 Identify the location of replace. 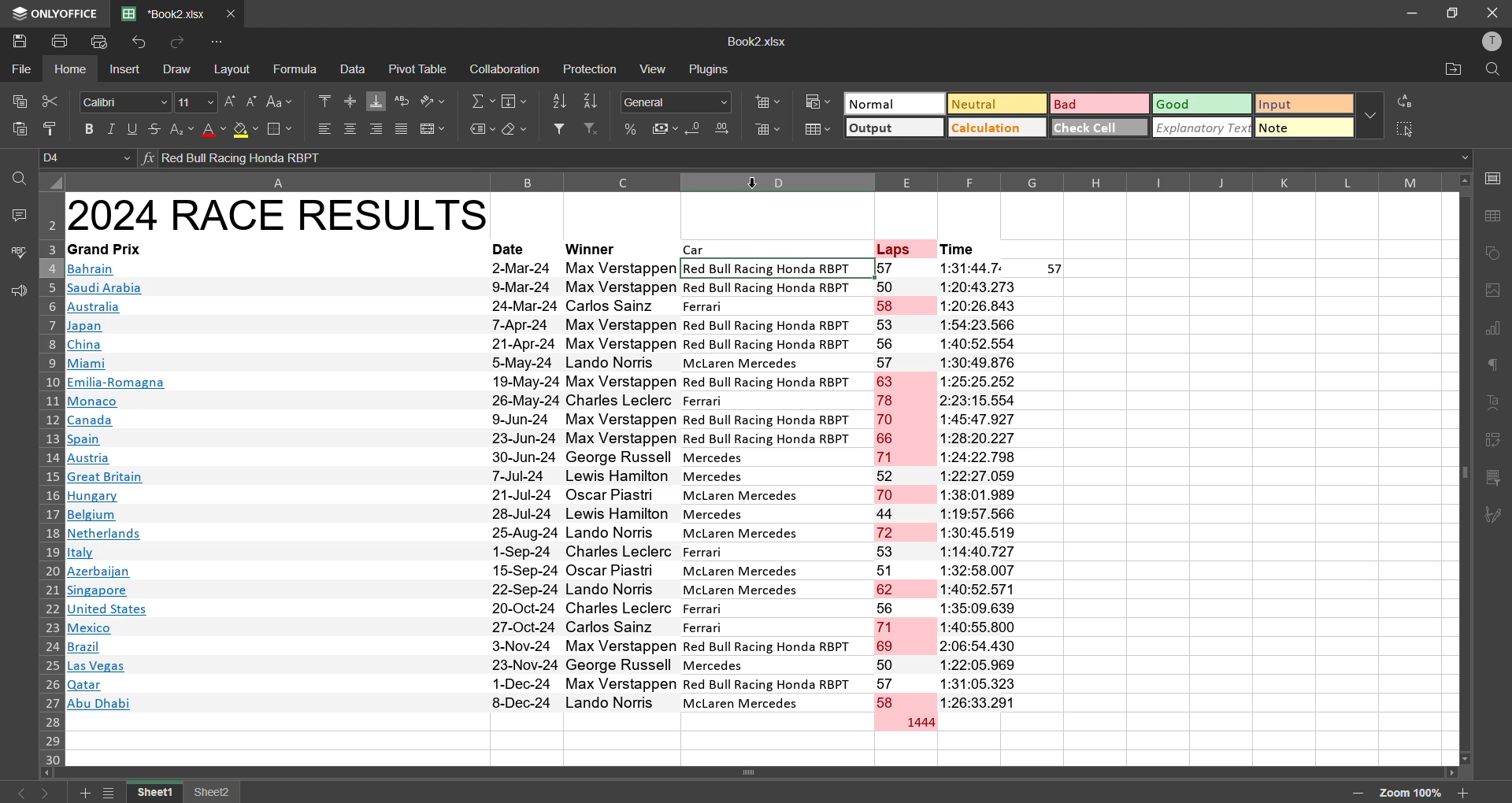
(1408, 101).